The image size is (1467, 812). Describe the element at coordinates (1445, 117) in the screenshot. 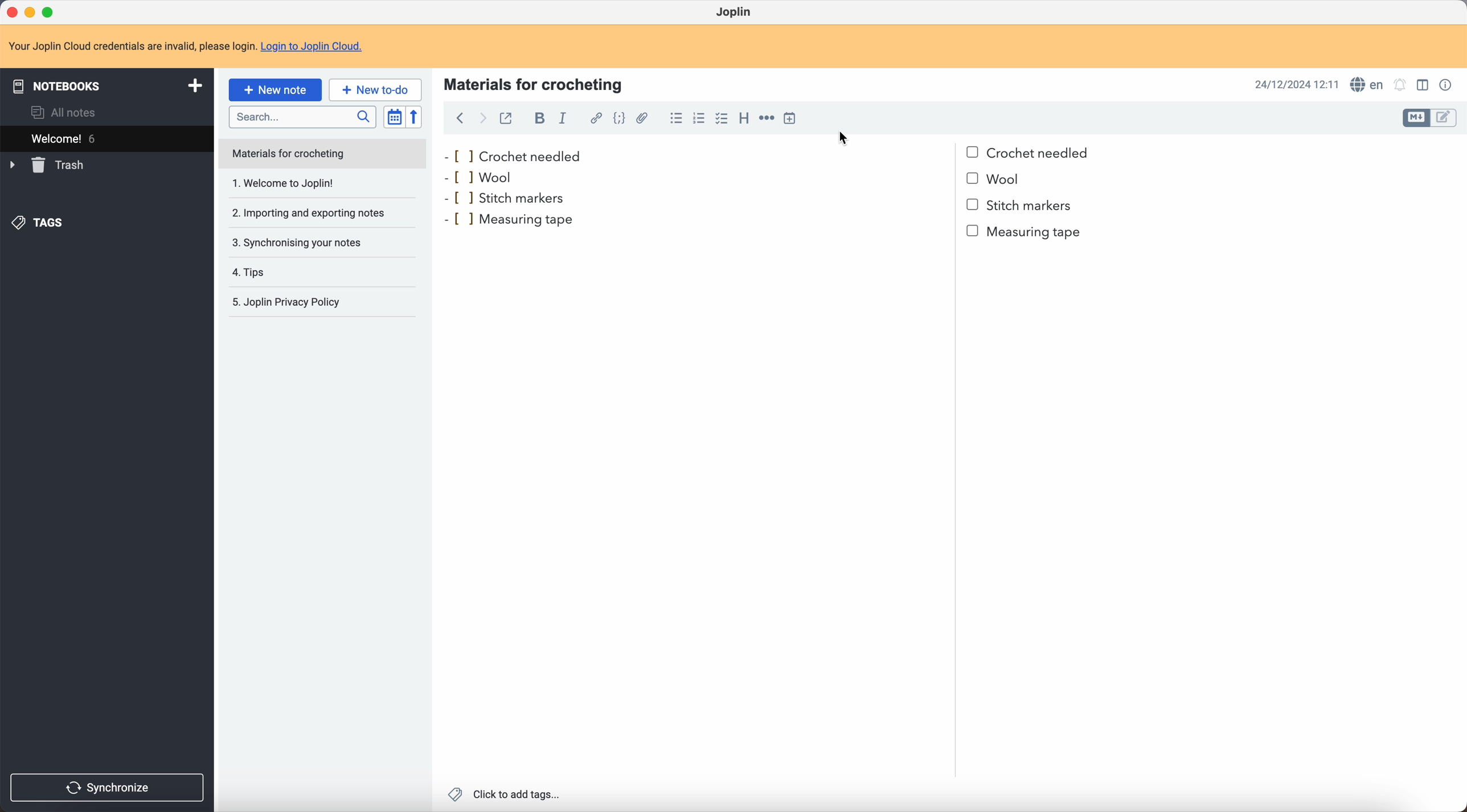

I see `toggle edit layout` at that location.